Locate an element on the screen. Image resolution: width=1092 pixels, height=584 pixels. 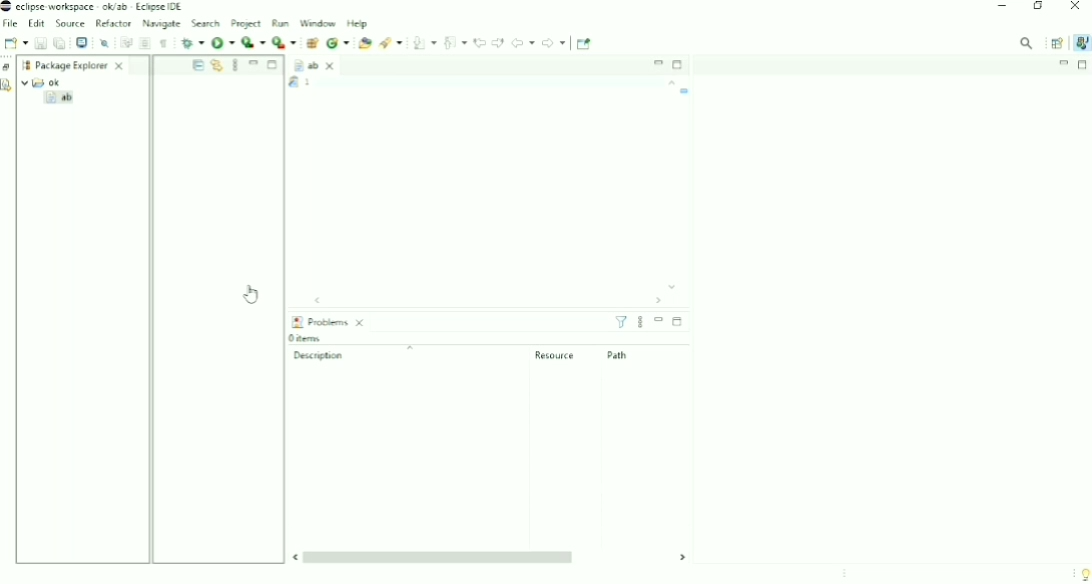
Maximize is located at coordinates (1083, 65).